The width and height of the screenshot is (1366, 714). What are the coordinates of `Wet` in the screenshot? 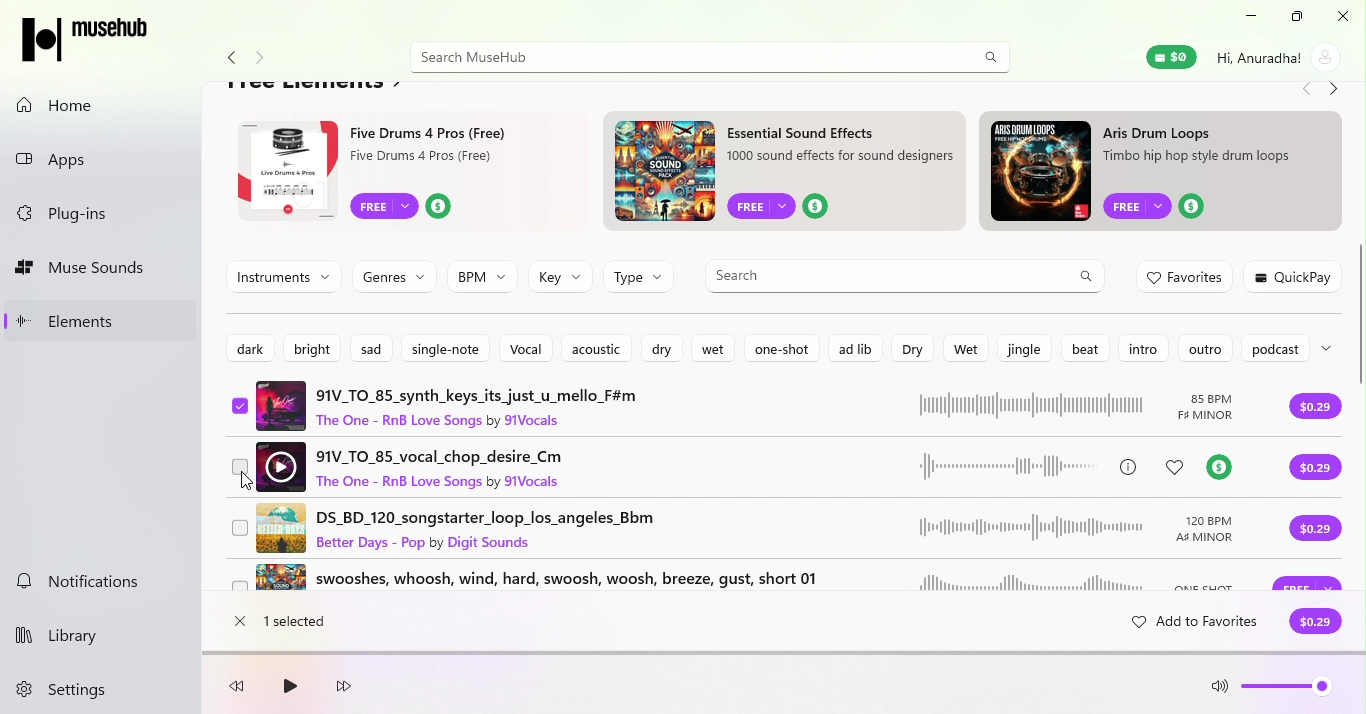 It's located at (961, 347).